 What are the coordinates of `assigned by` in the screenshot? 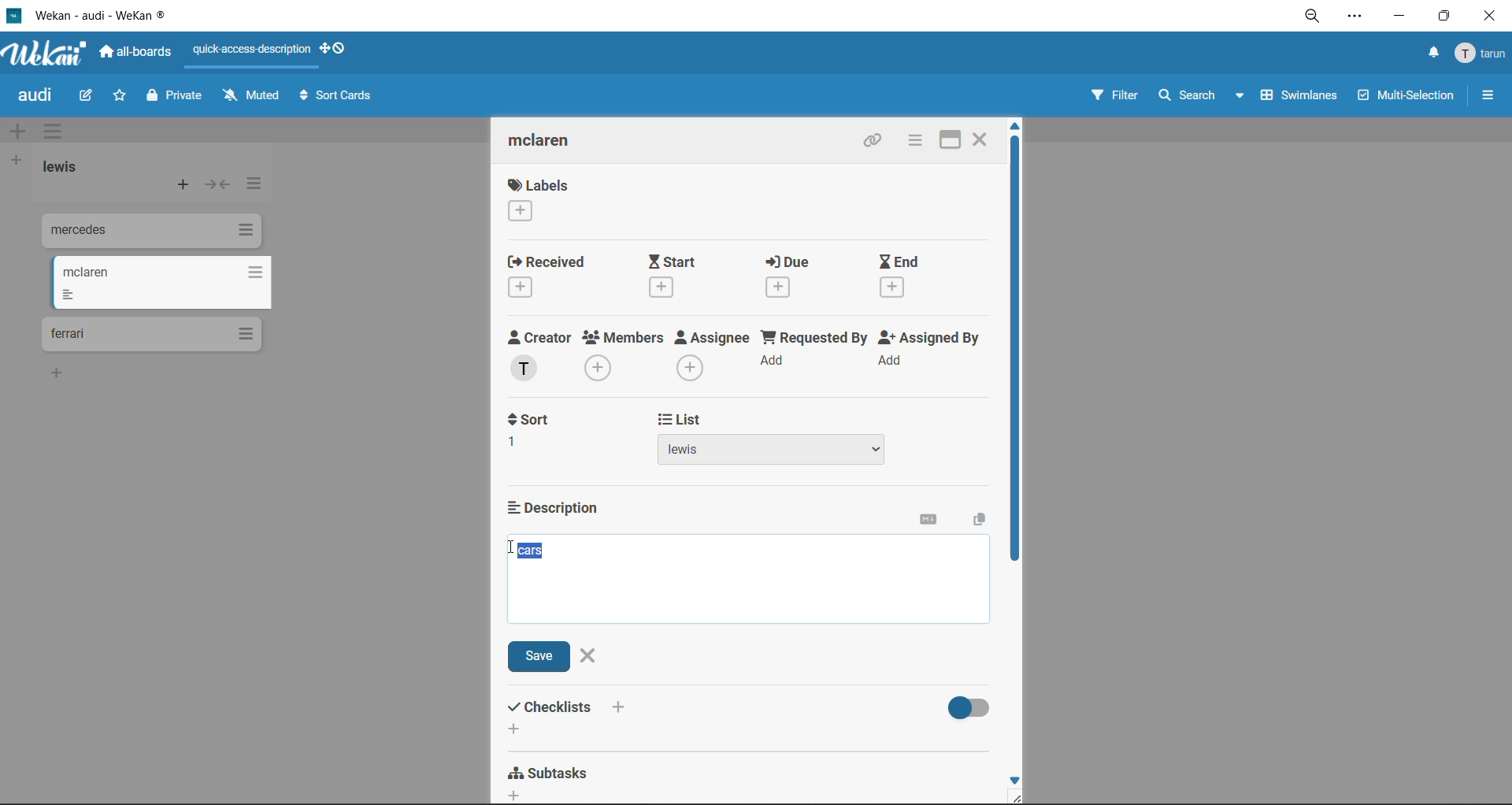 It's located at (935, 353).